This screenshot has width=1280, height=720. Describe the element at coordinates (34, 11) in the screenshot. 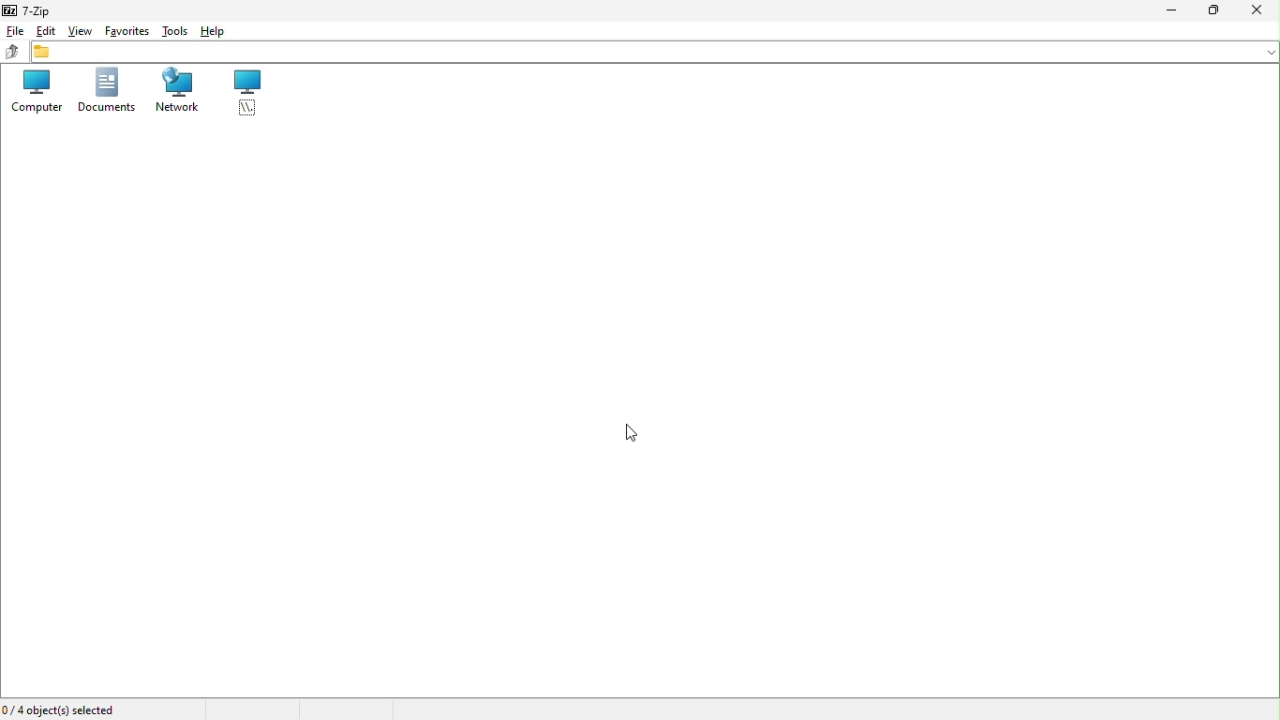

I see `7 zip` at that location.